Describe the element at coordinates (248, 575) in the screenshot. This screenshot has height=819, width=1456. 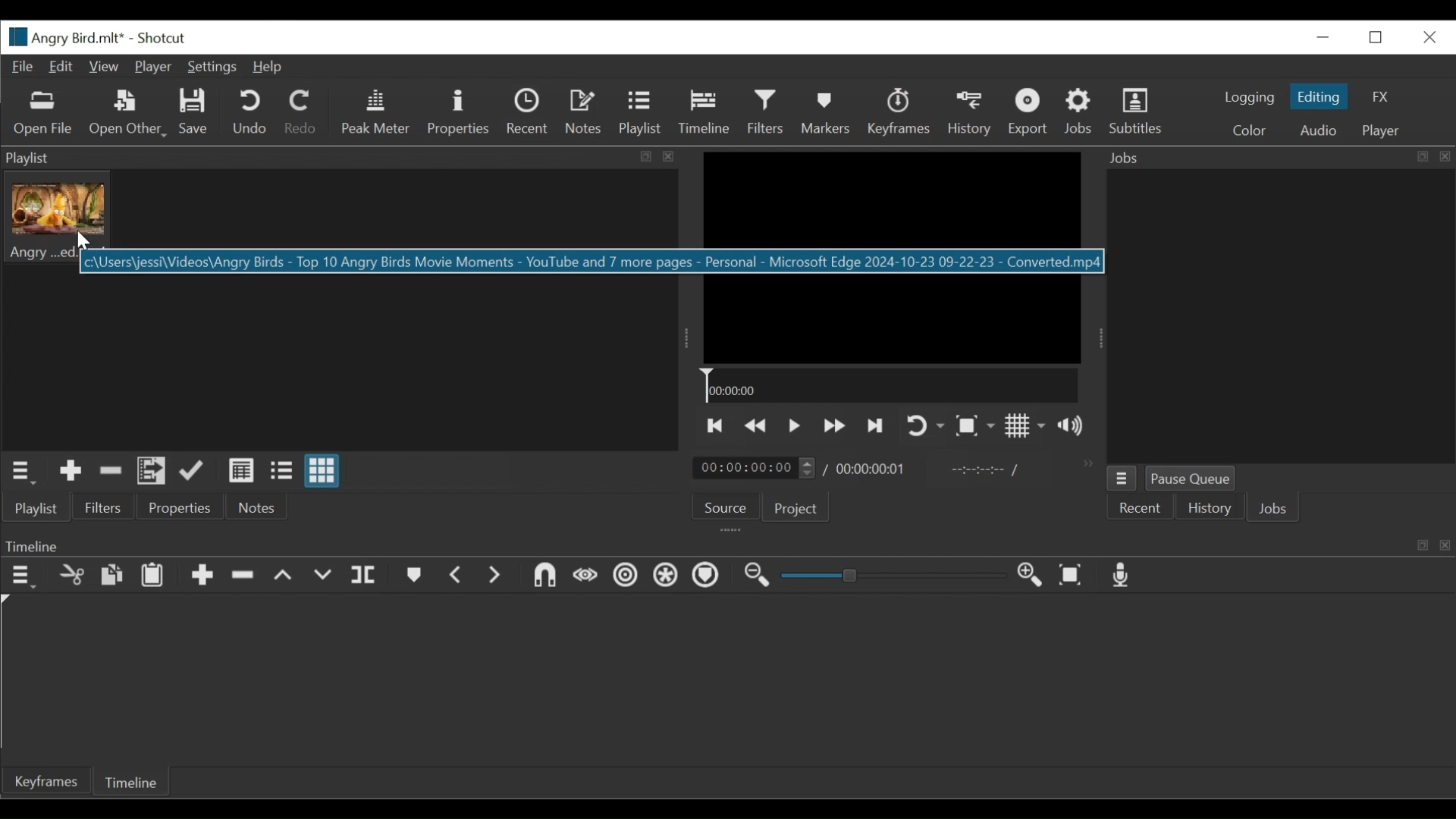
I see `remove clip` at that location.